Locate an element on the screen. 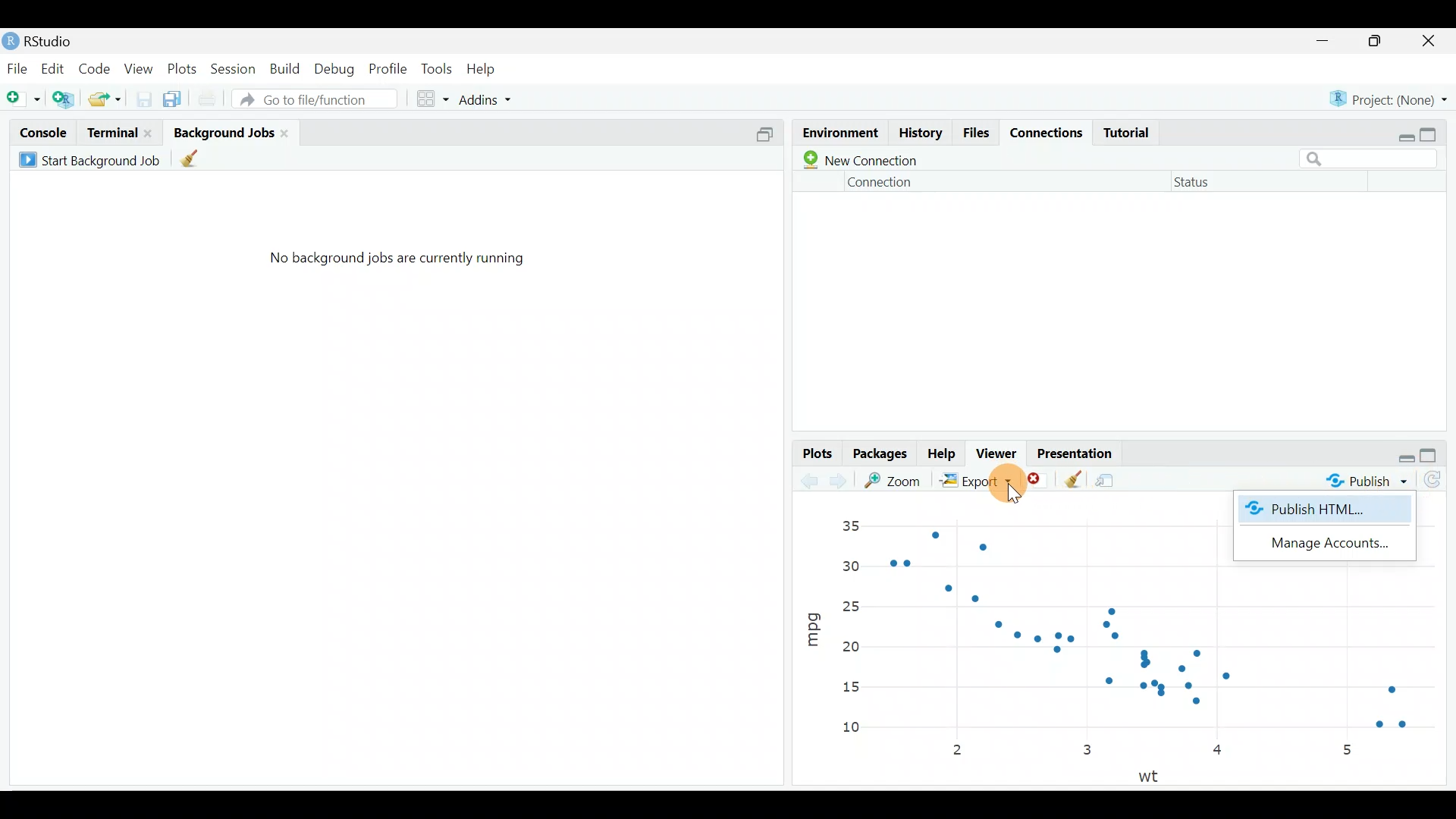 Image resolution: width=1456 pixels, height=819 pixels. wt is located at coordinates (1154, 775).